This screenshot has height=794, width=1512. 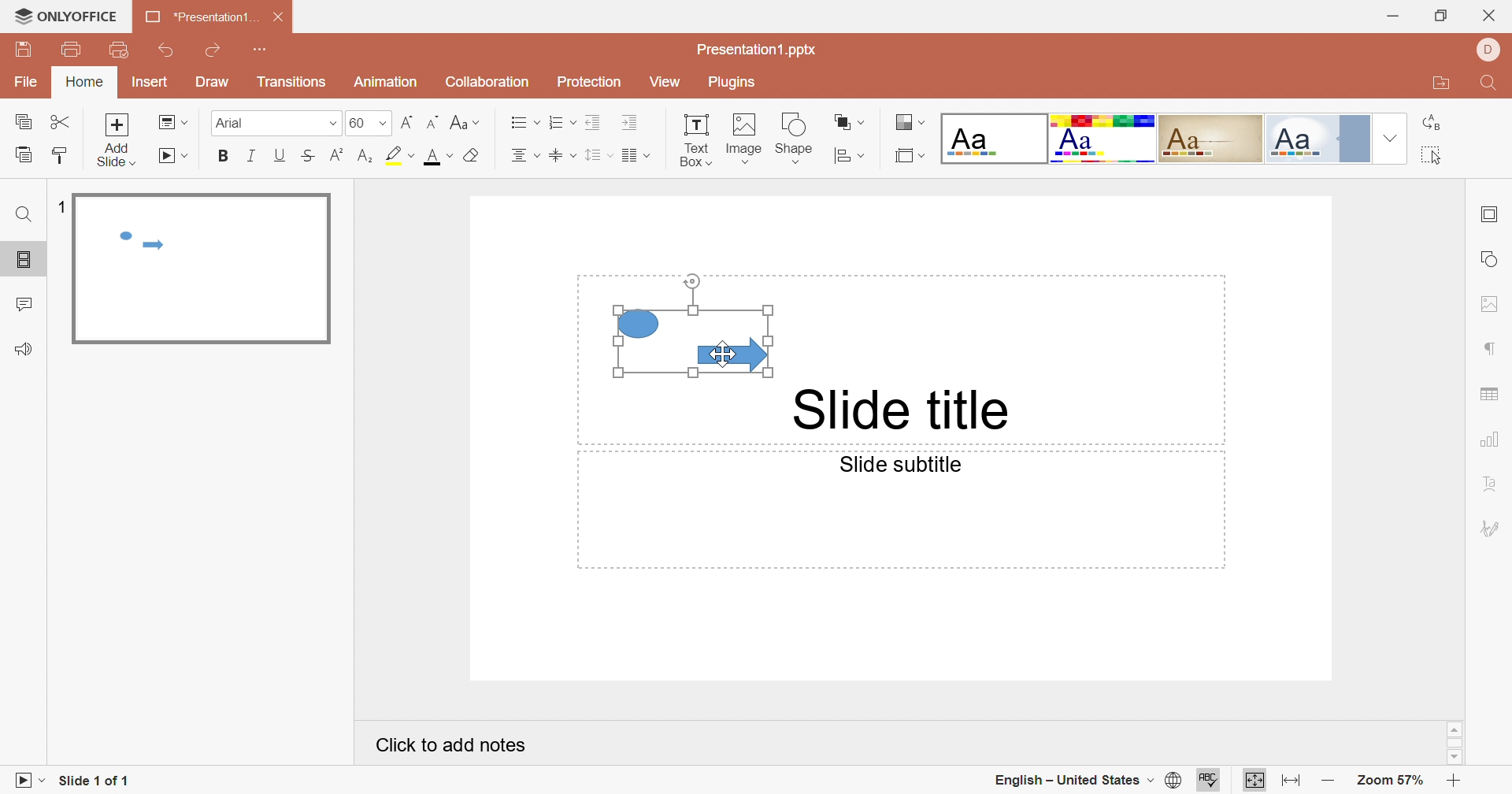 I want to click on Italic, so click(x=250, y=159).